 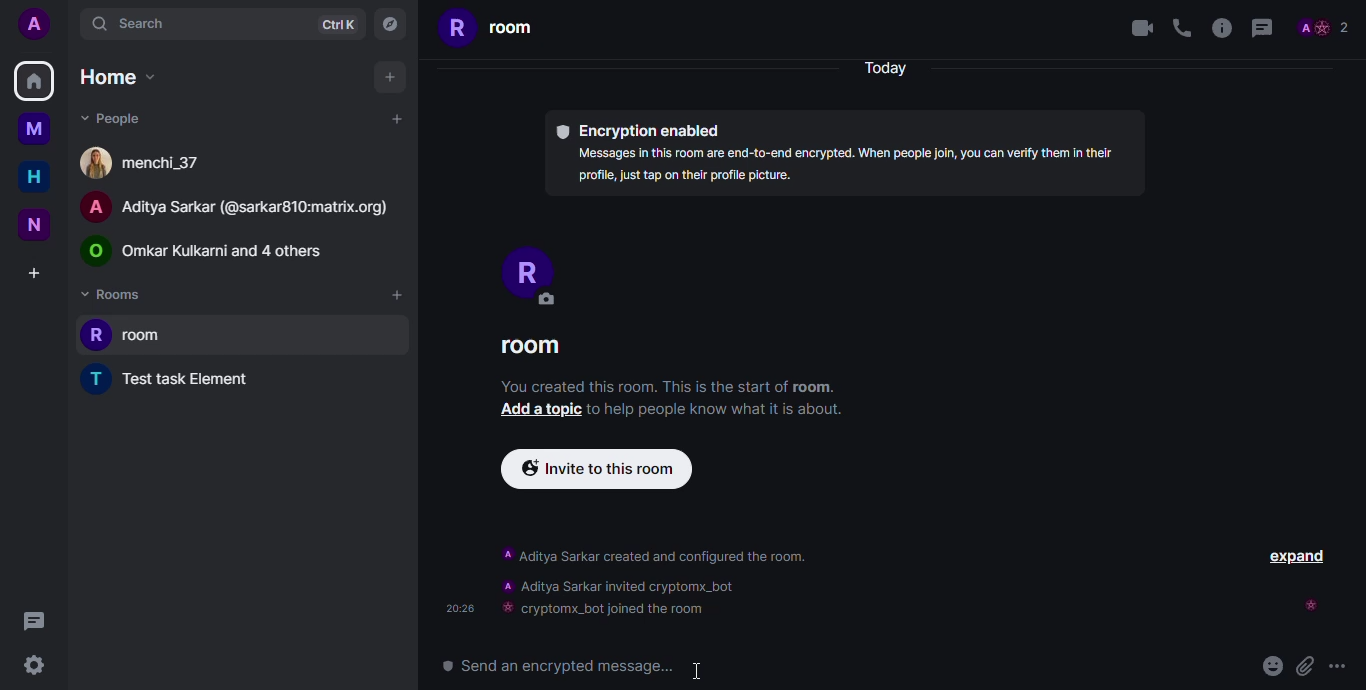 I want to click on Encryption enabled, so click(x=642, y=127).